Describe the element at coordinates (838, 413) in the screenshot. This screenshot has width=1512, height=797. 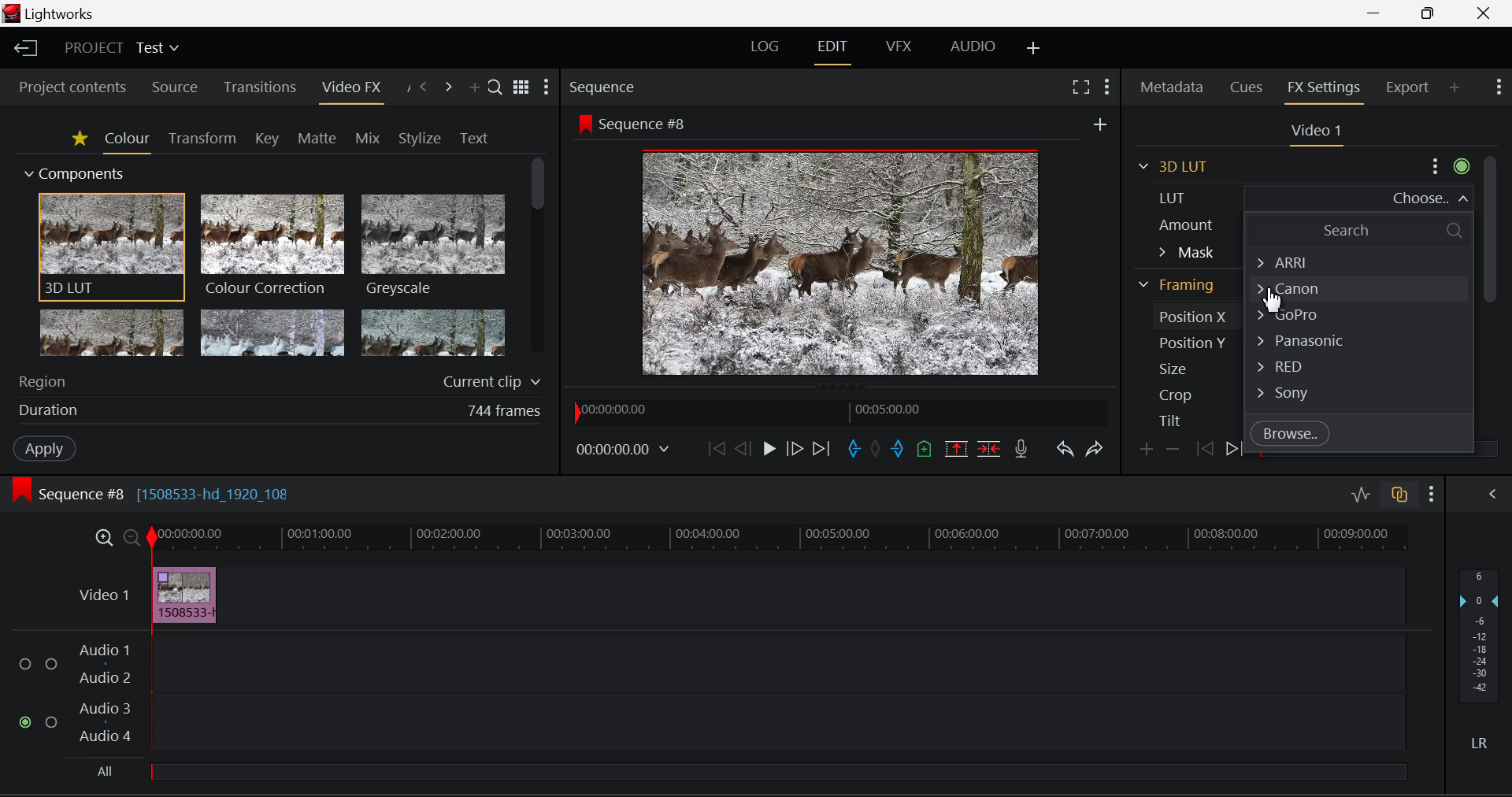
I see `Project Timeline Navigator` at that location.